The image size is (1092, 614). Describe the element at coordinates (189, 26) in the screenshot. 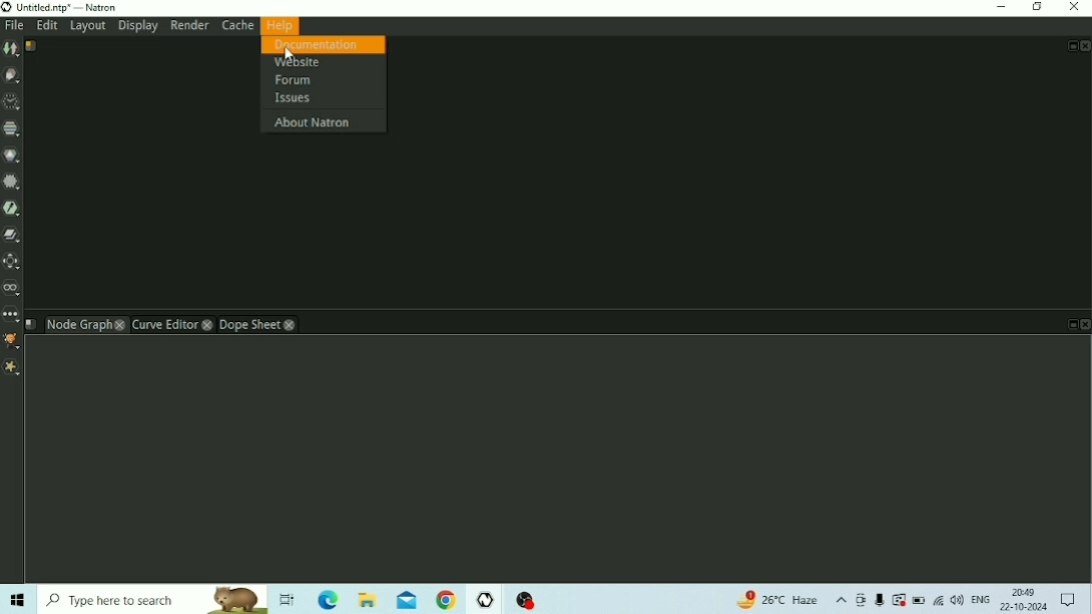

I see `Render` at that location.